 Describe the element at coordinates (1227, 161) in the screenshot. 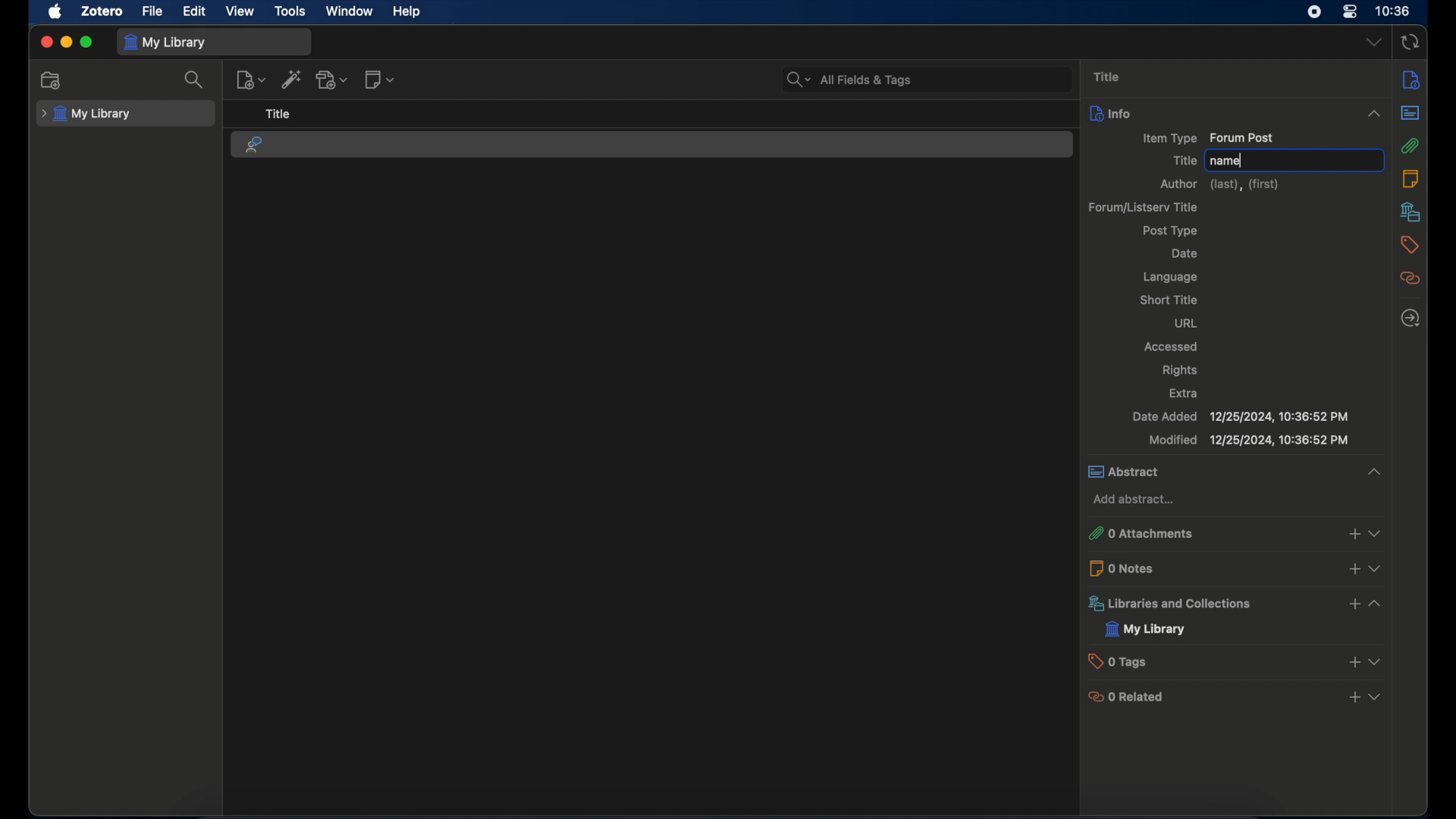

I see `name` at that location.